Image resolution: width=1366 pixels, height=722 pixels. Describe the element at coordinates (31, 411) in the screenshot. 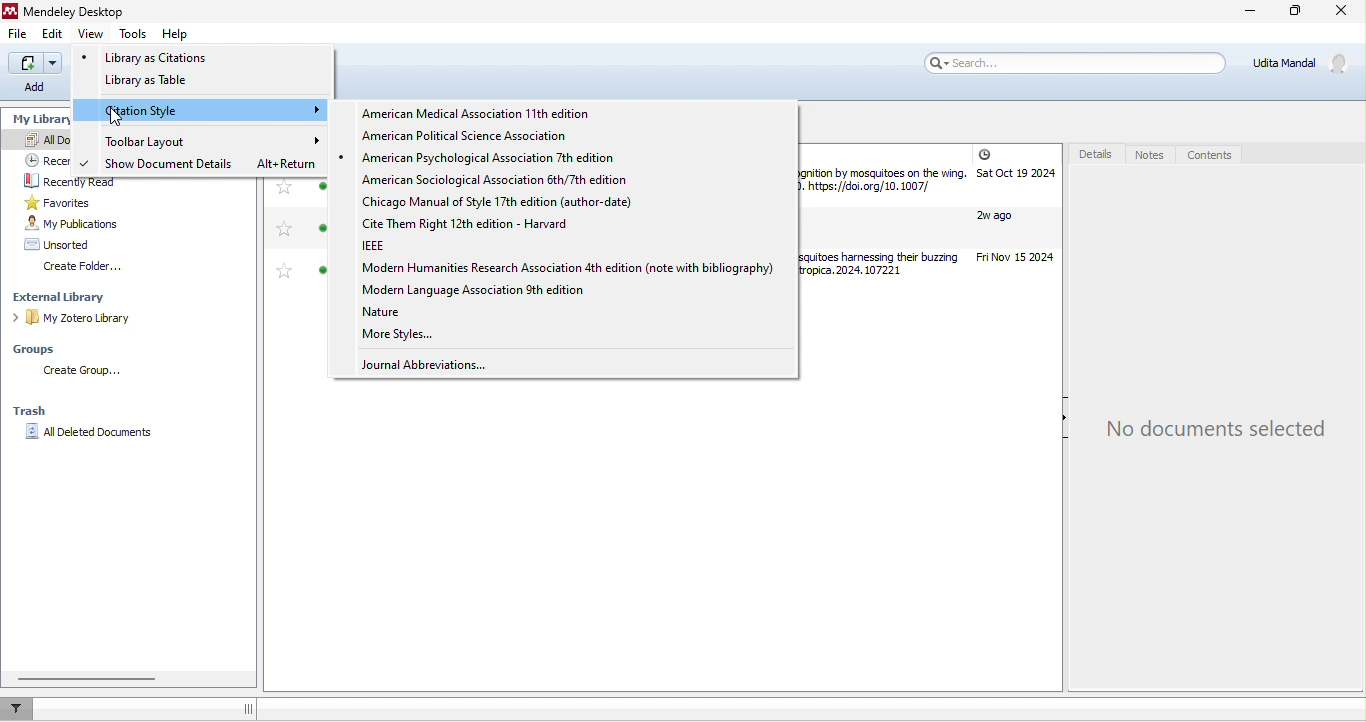

I see `trash` at that location.